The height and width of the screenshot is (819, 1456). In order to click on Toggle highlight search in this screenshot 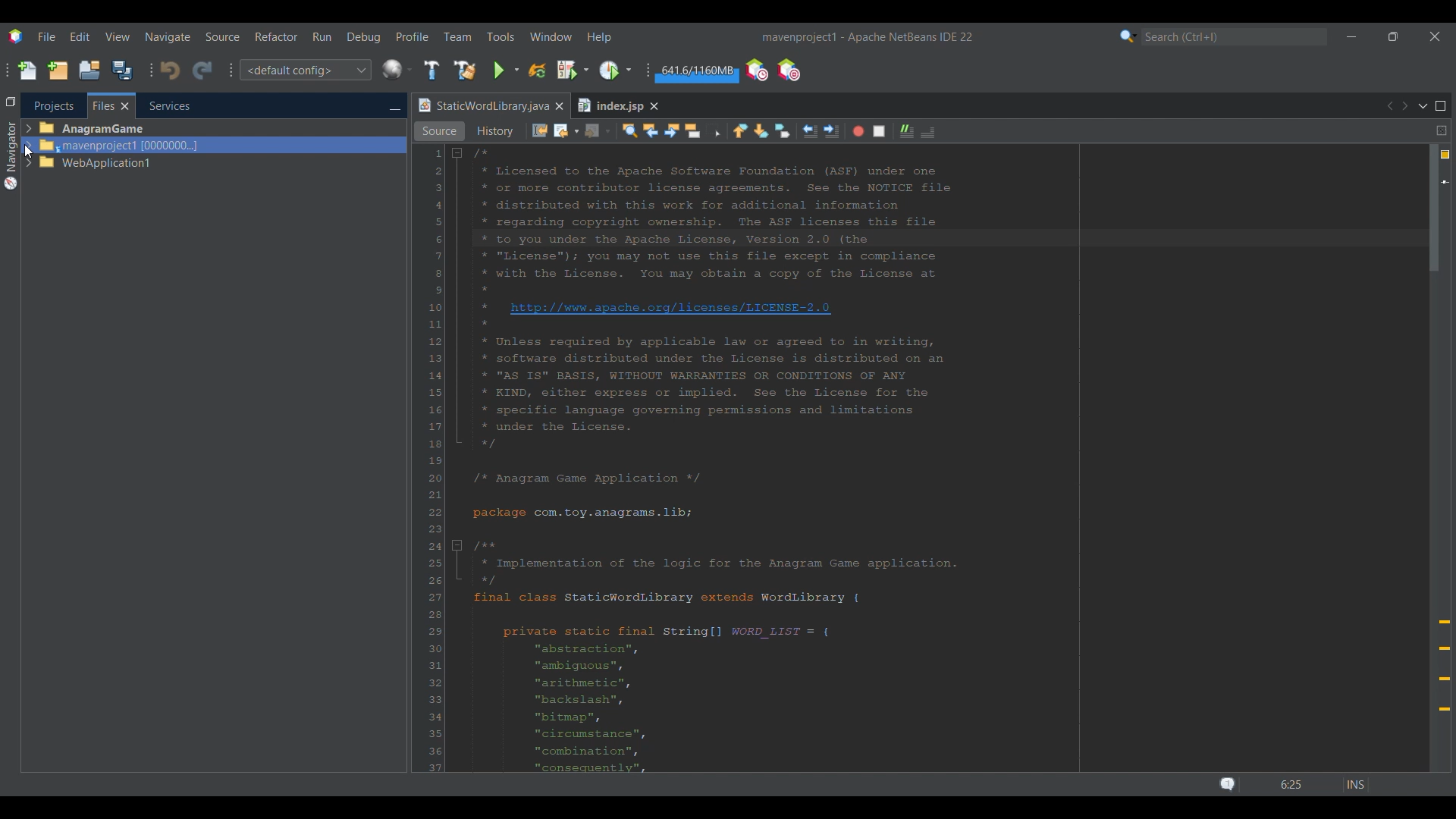, I will do `click(692, 131)`.